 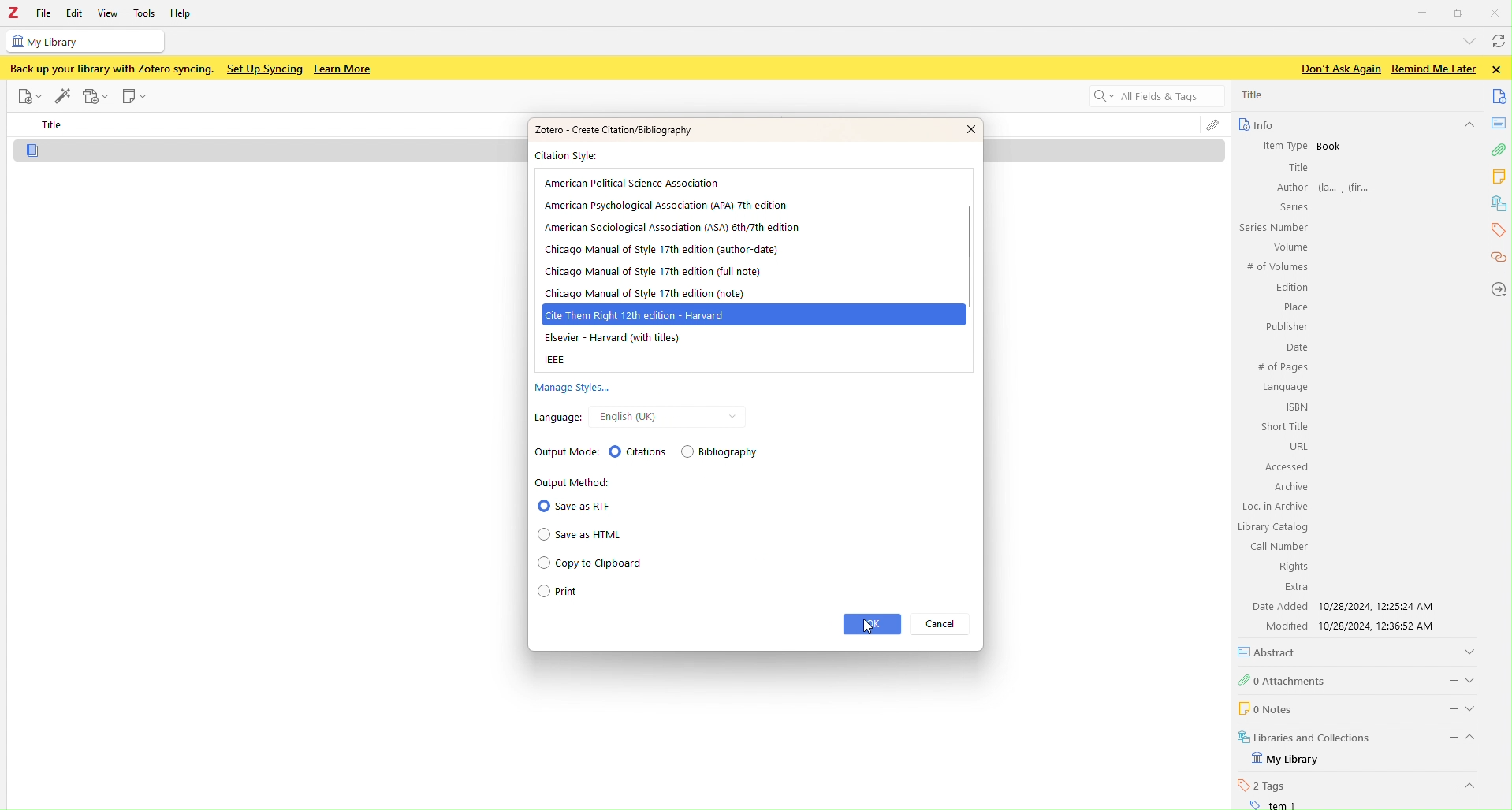 What do you see at coordinates (1290, 187) in the screenshot?
I see `Author` at bounding box center [1290, 187].